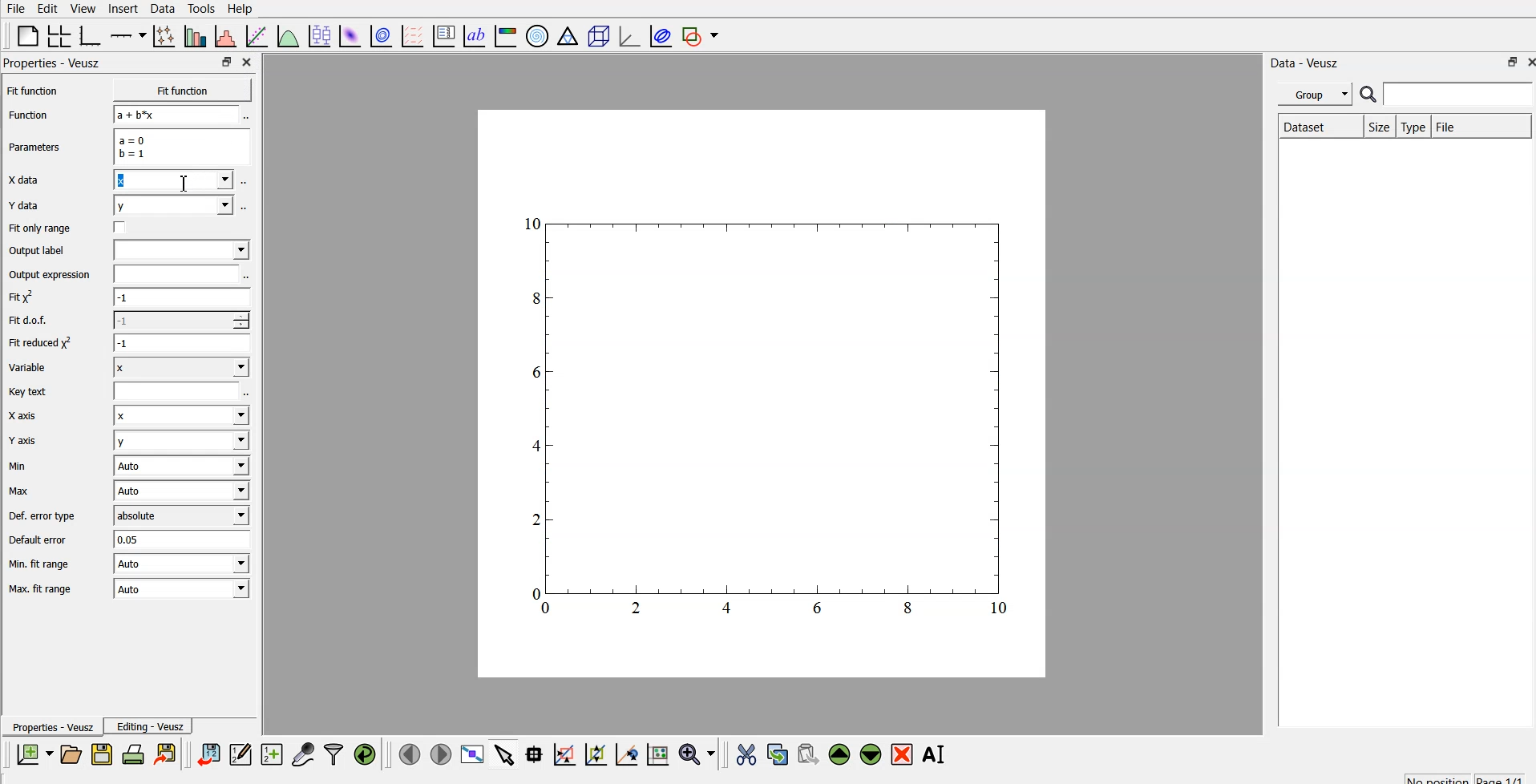  I want to click on Auto, so click(184, 492).